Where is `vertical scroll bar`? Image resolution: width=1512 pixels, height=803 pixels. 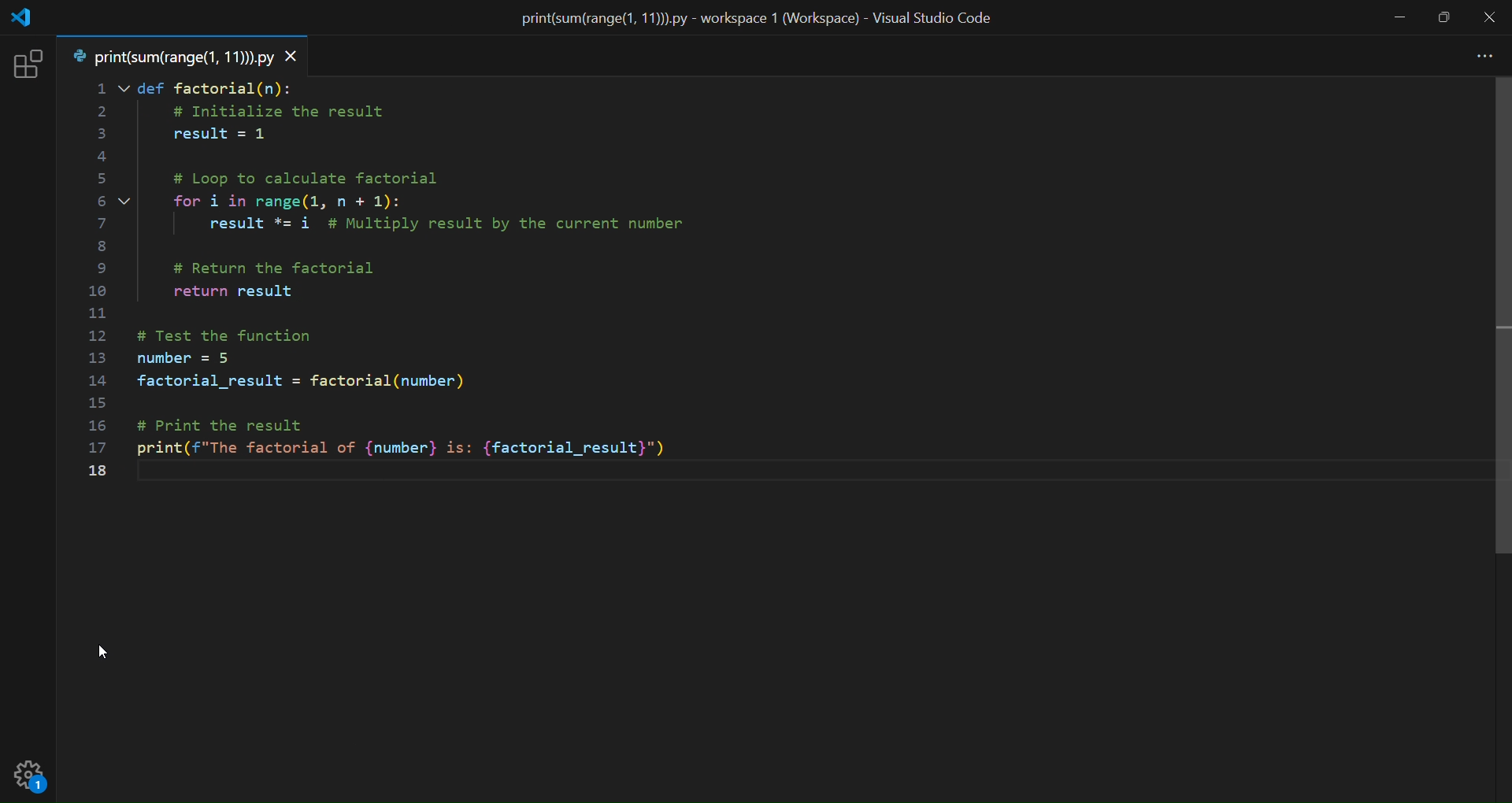
vertical scroll bar is located at coordinates (1499, 432).